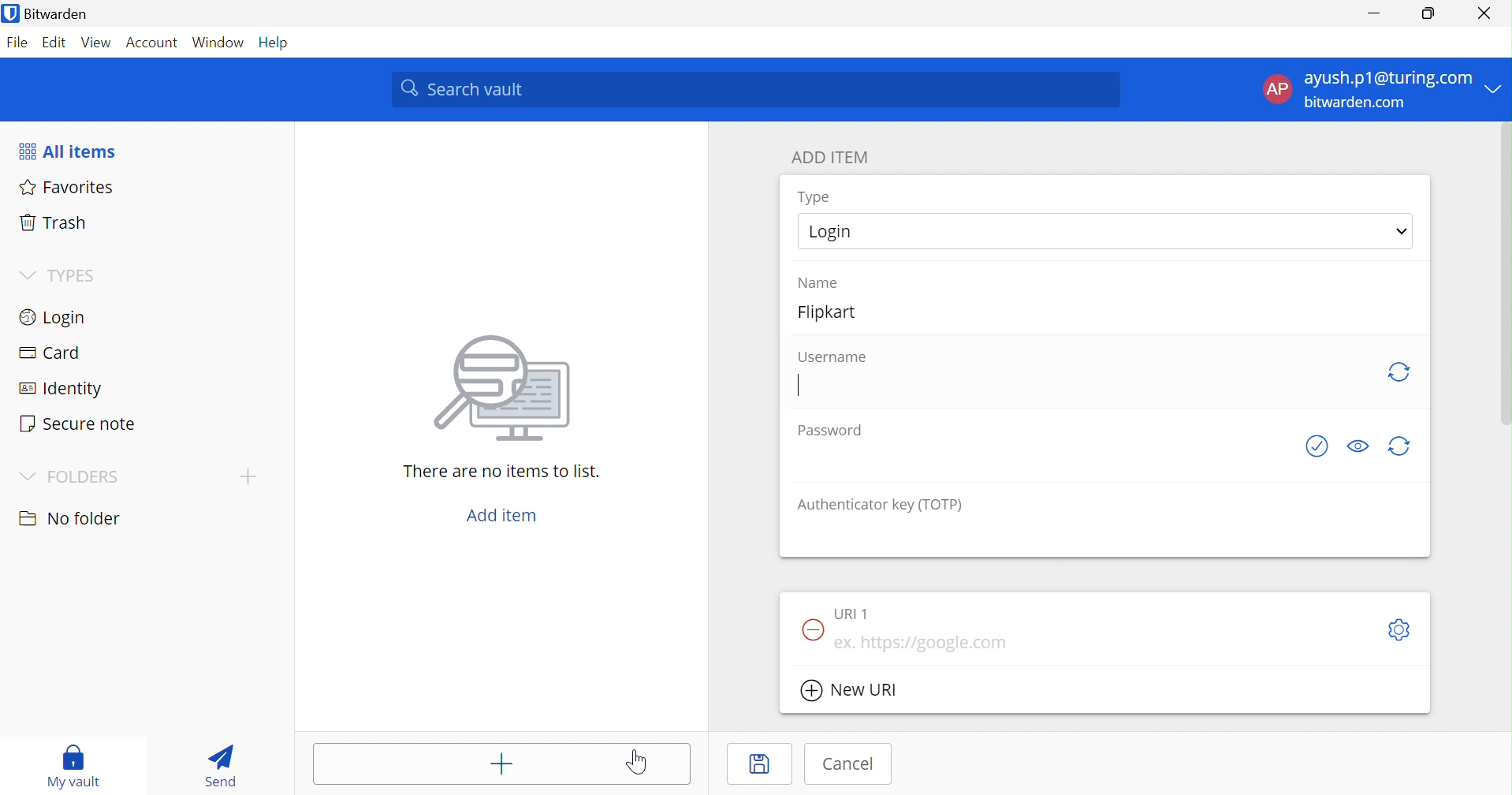 Image resolution: width=1512 pixels, height=795 pixels. What do you see at coordinates (219, 766) in the screenshot?
I see `Send` at bounding box center [219, 766].